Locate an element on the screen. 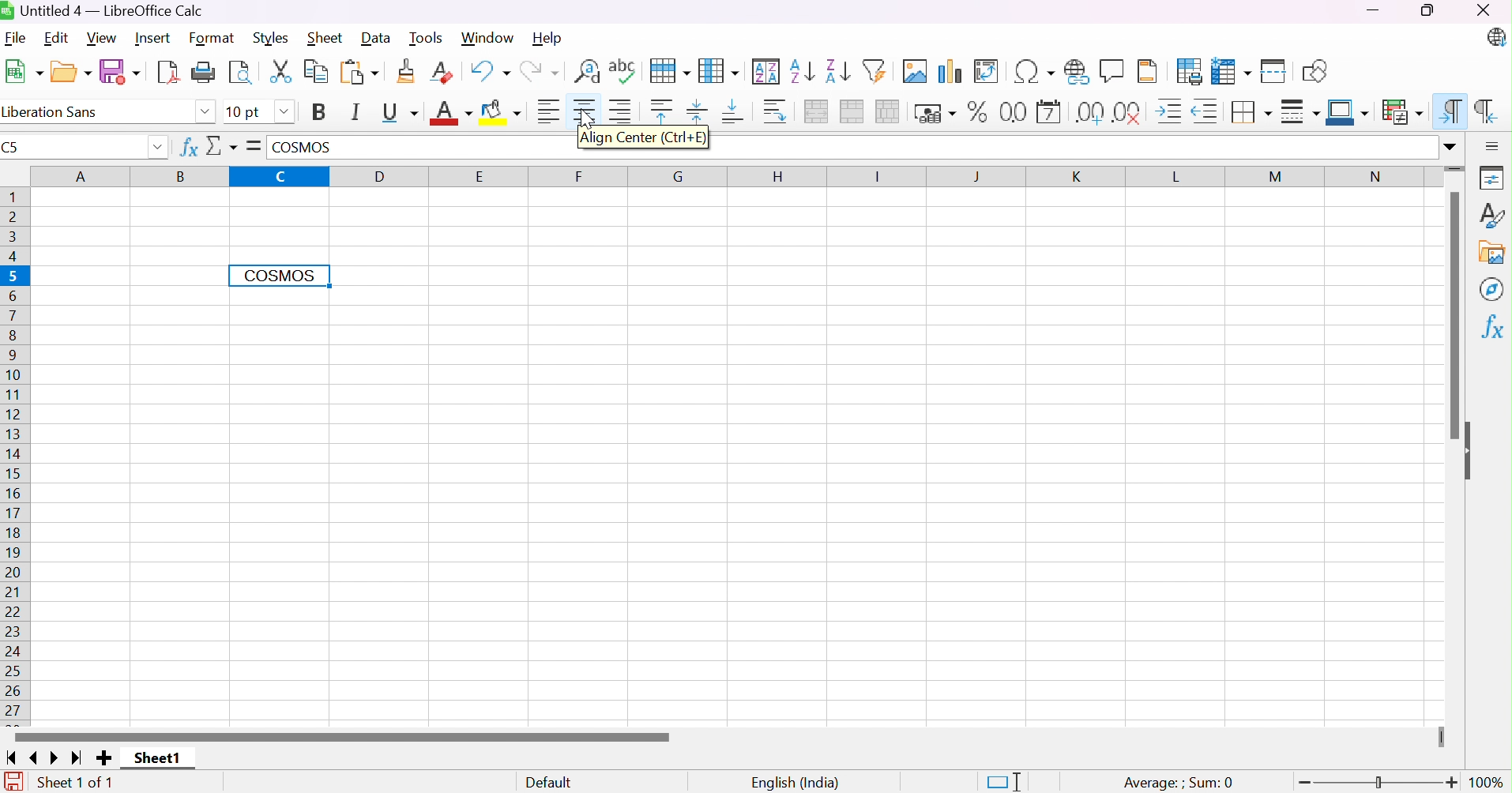  Scroll to first Sheet is located at coordinates (11, 758).